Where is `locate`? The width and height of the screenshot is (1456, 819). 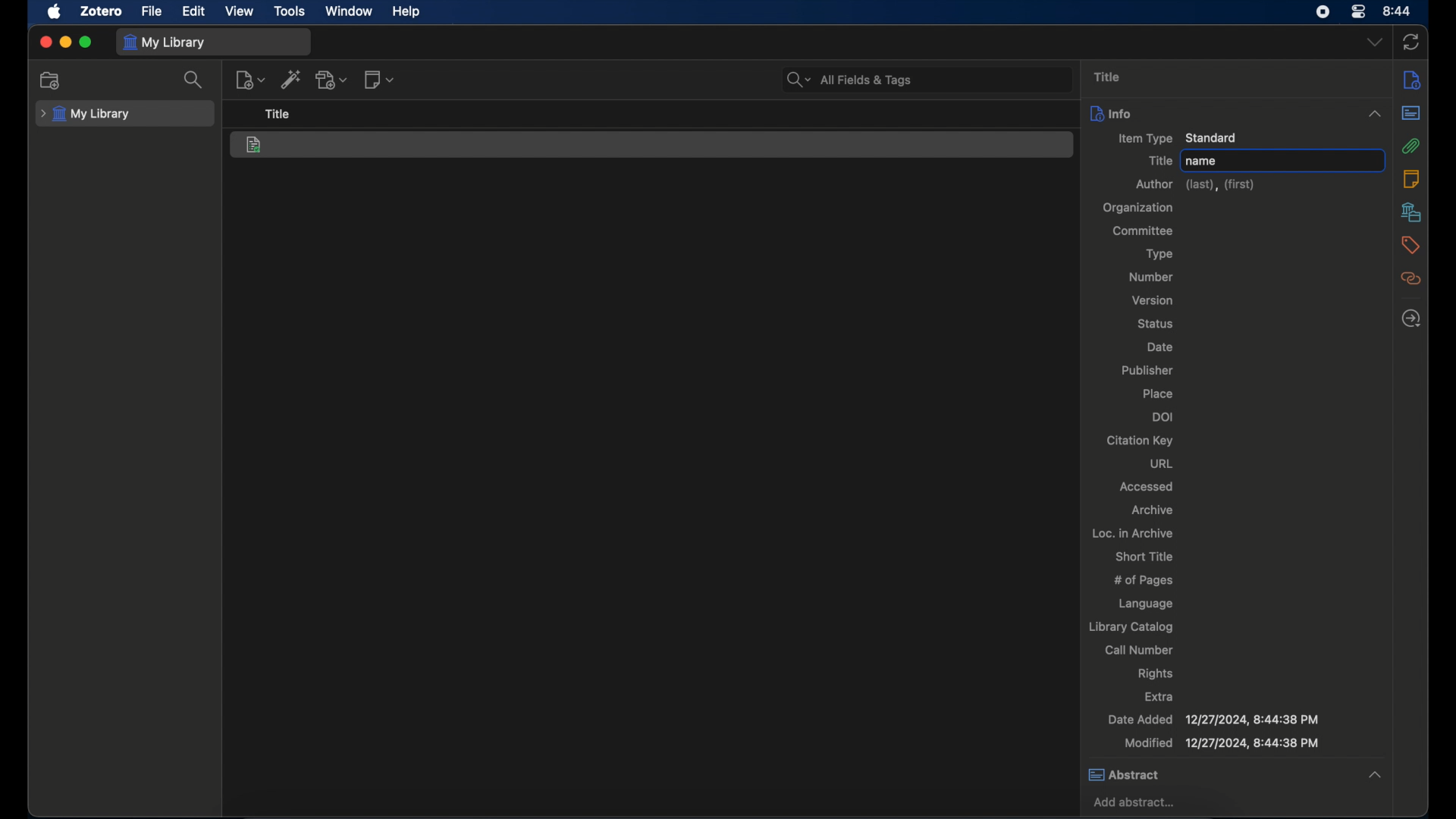
locate is located at coordinates (1410, 319).